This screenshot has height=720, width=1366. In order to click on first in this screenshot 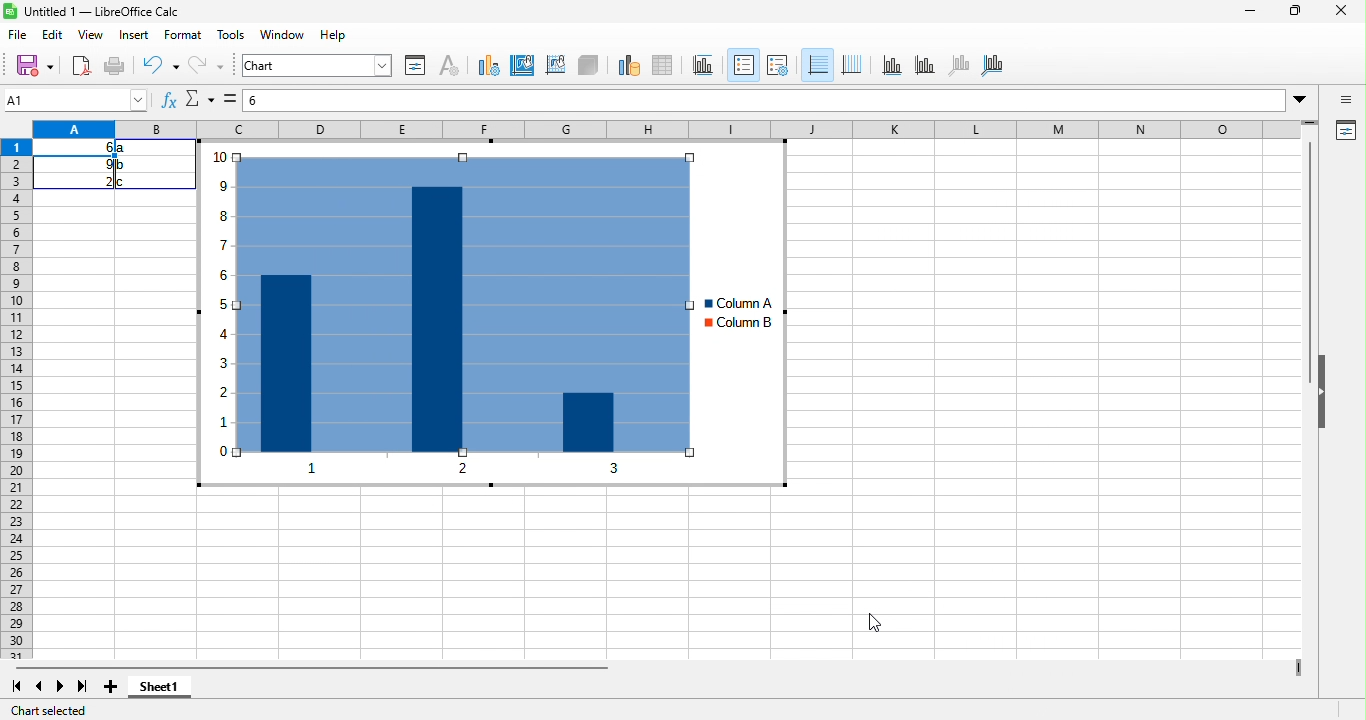, I will do `click(21, 688)`.